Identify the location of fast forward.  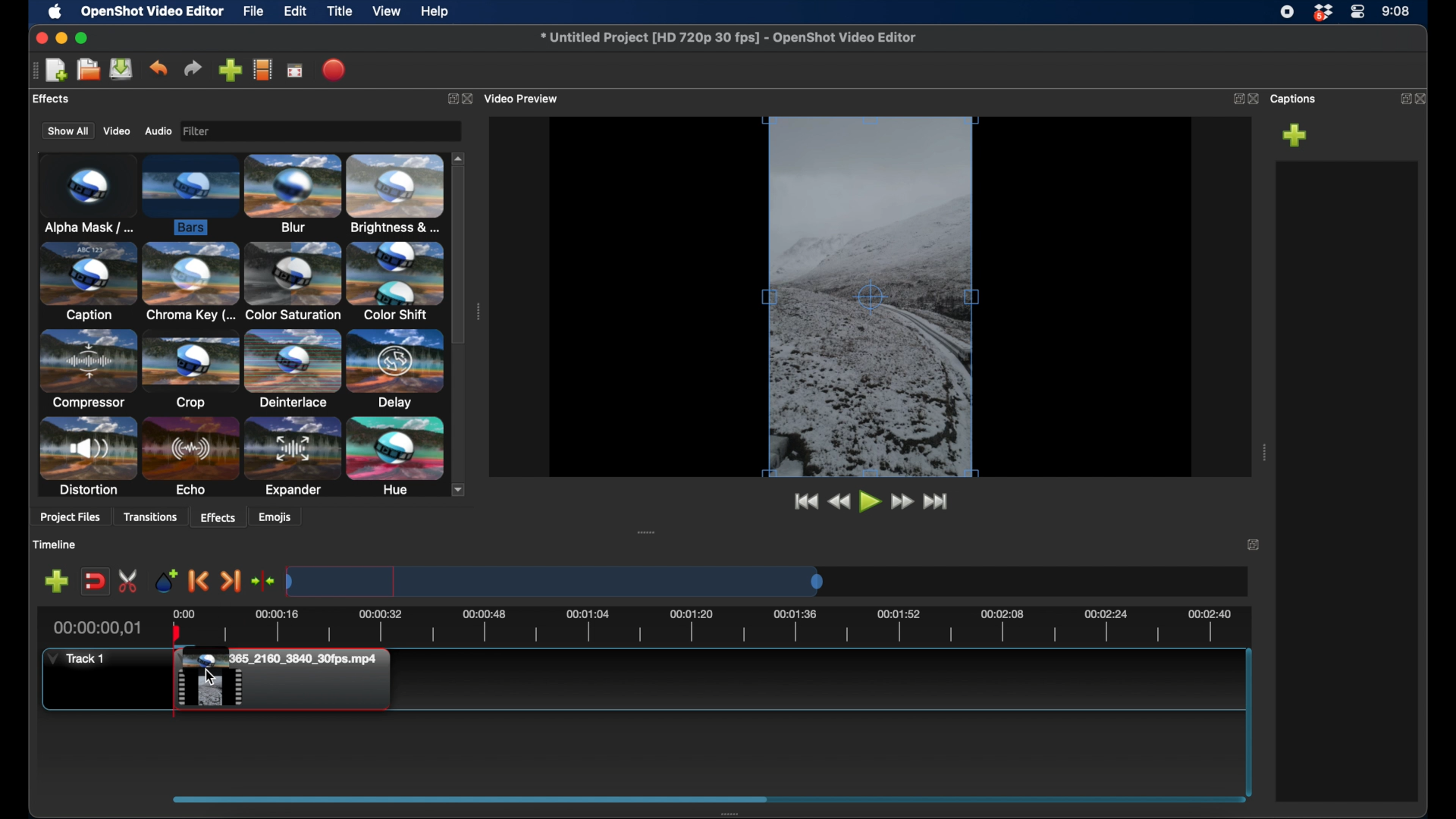
(903, 501).